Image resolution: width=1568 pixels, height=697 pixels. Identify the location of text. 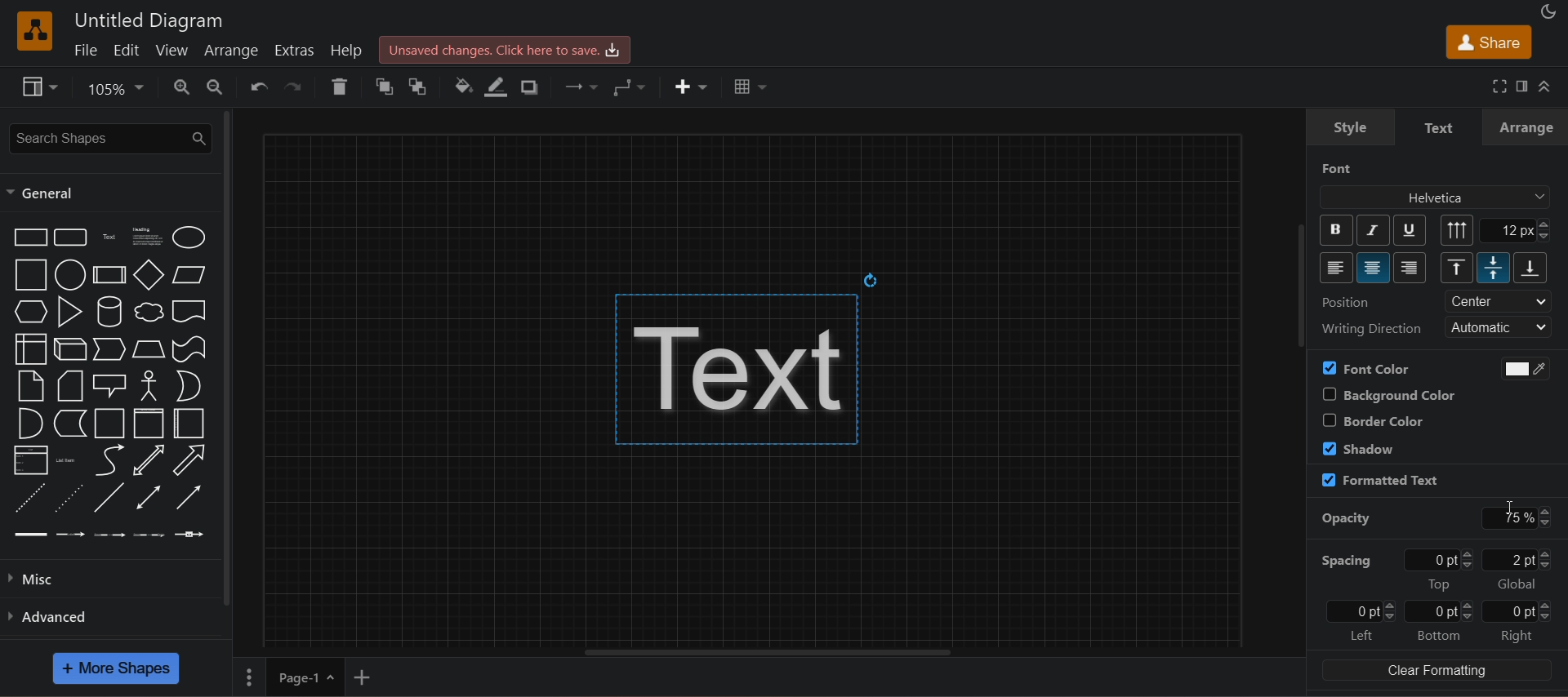
(112, 237).